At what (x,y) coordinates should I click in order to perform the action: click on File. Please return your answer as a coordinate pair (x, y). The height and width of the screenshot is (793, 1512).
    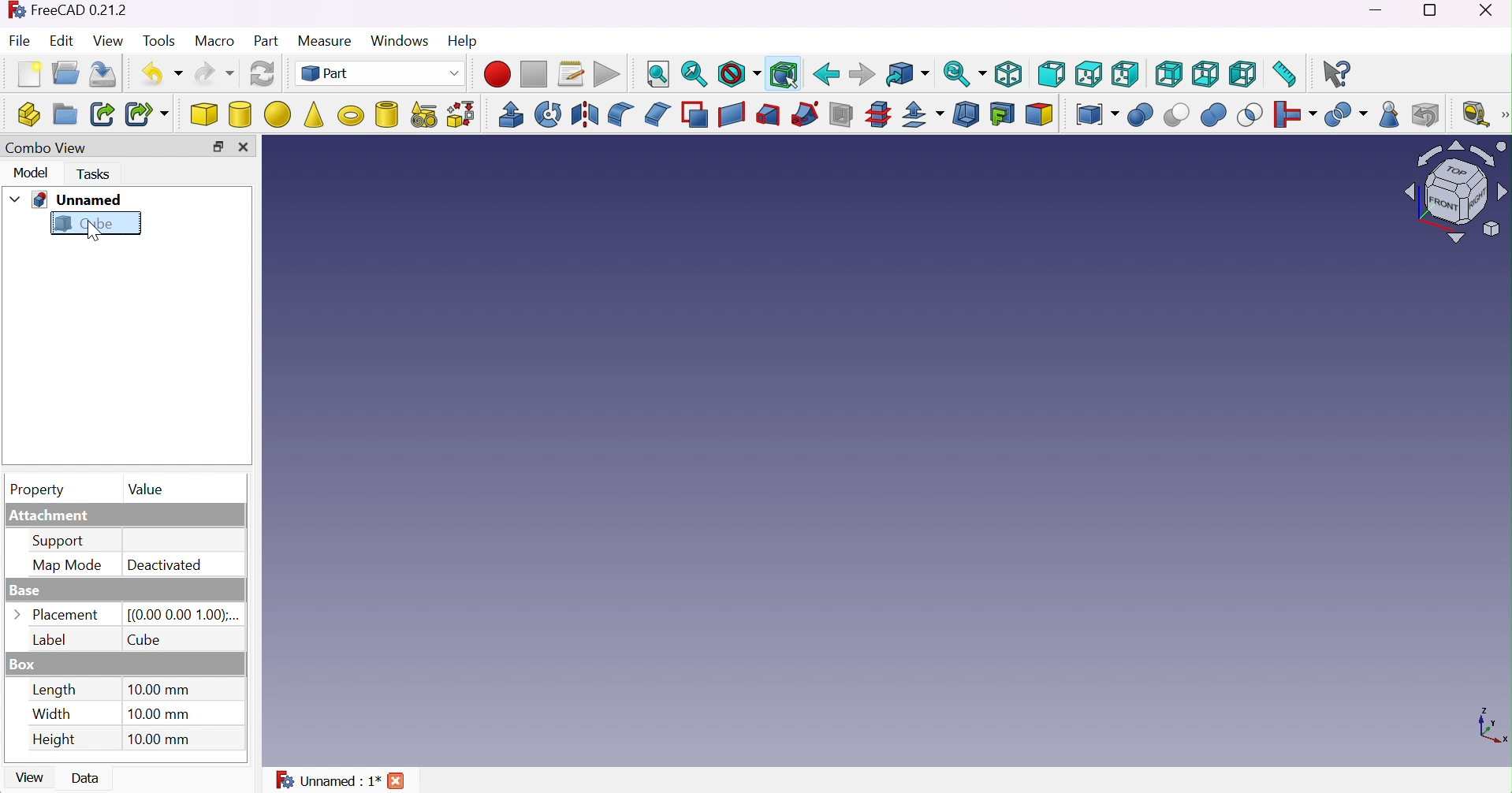
    Looking at the image, I should click on (20, 41).